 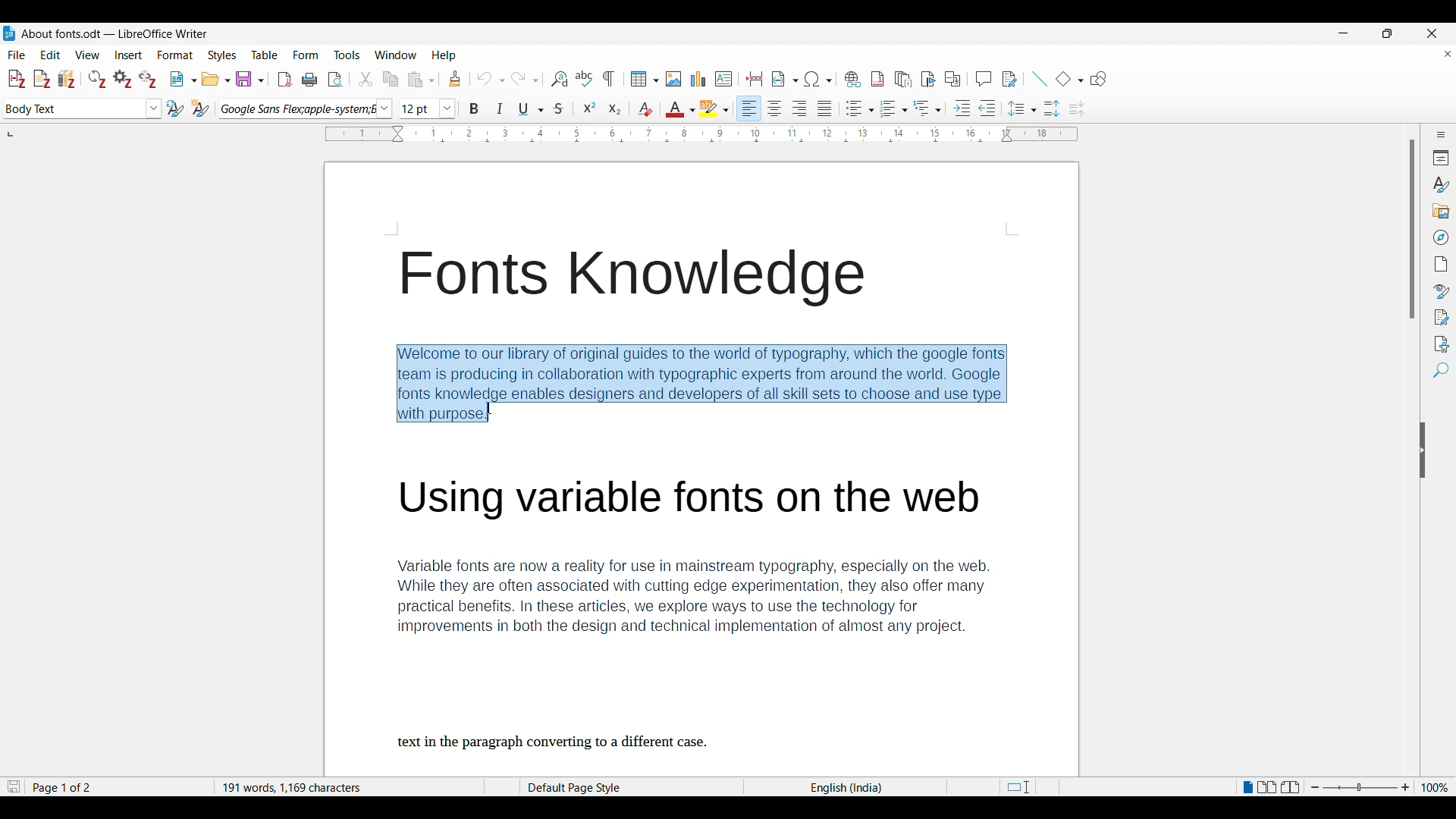 What do you see at coordinates (337, 80) in the screenshot?
I see `Toggle print preview` at bounding box center [337, 80].